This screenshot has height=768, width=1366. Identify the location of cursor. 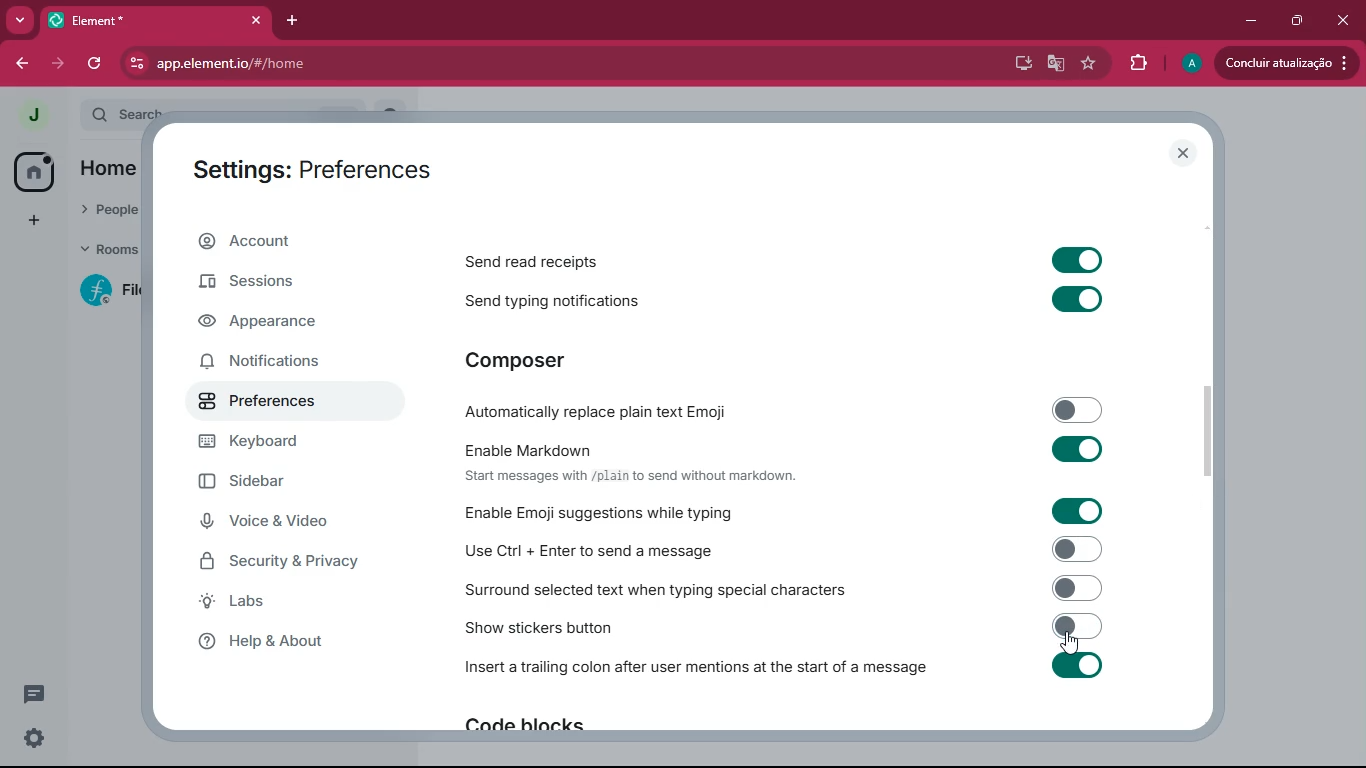
(1069, 641).